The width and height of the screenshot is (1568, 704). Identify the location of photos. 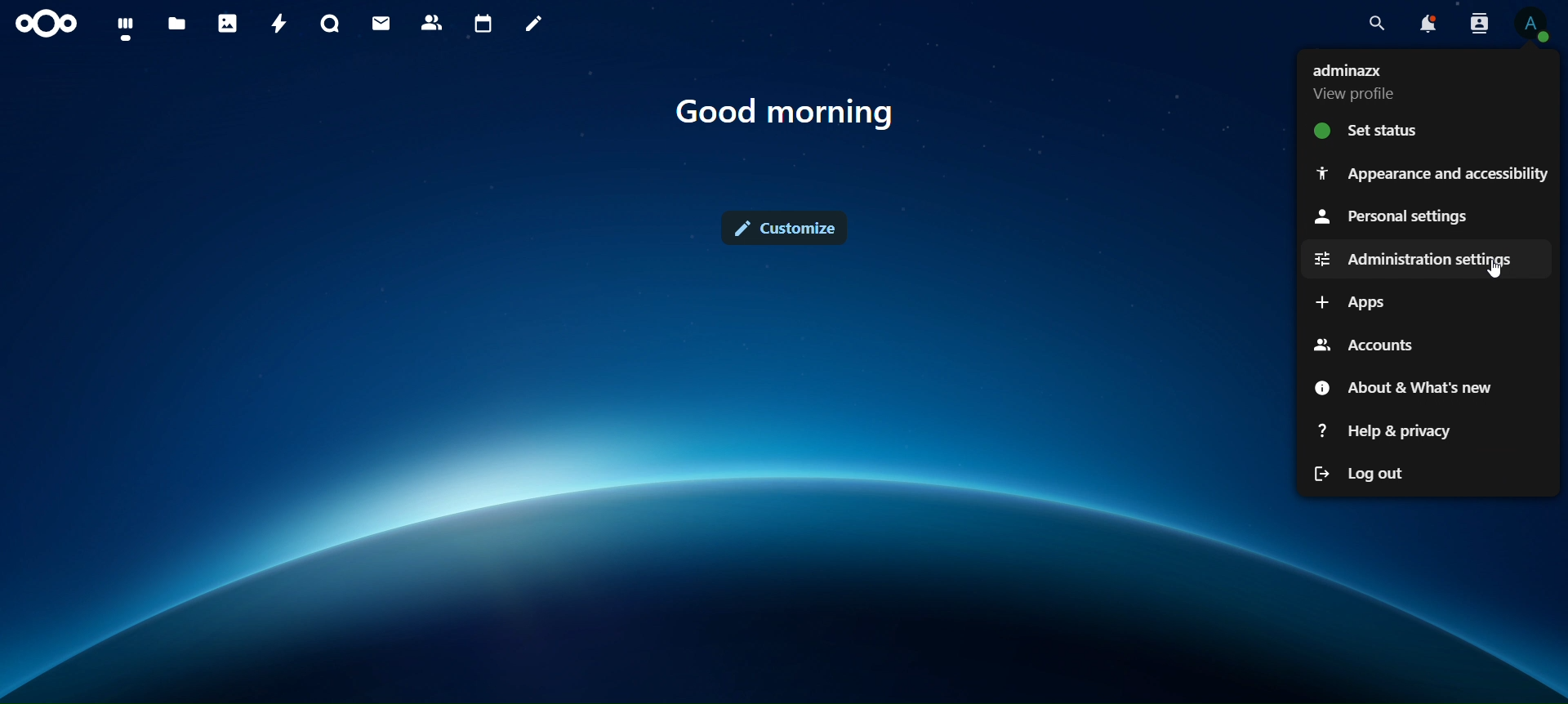
(229, 25).